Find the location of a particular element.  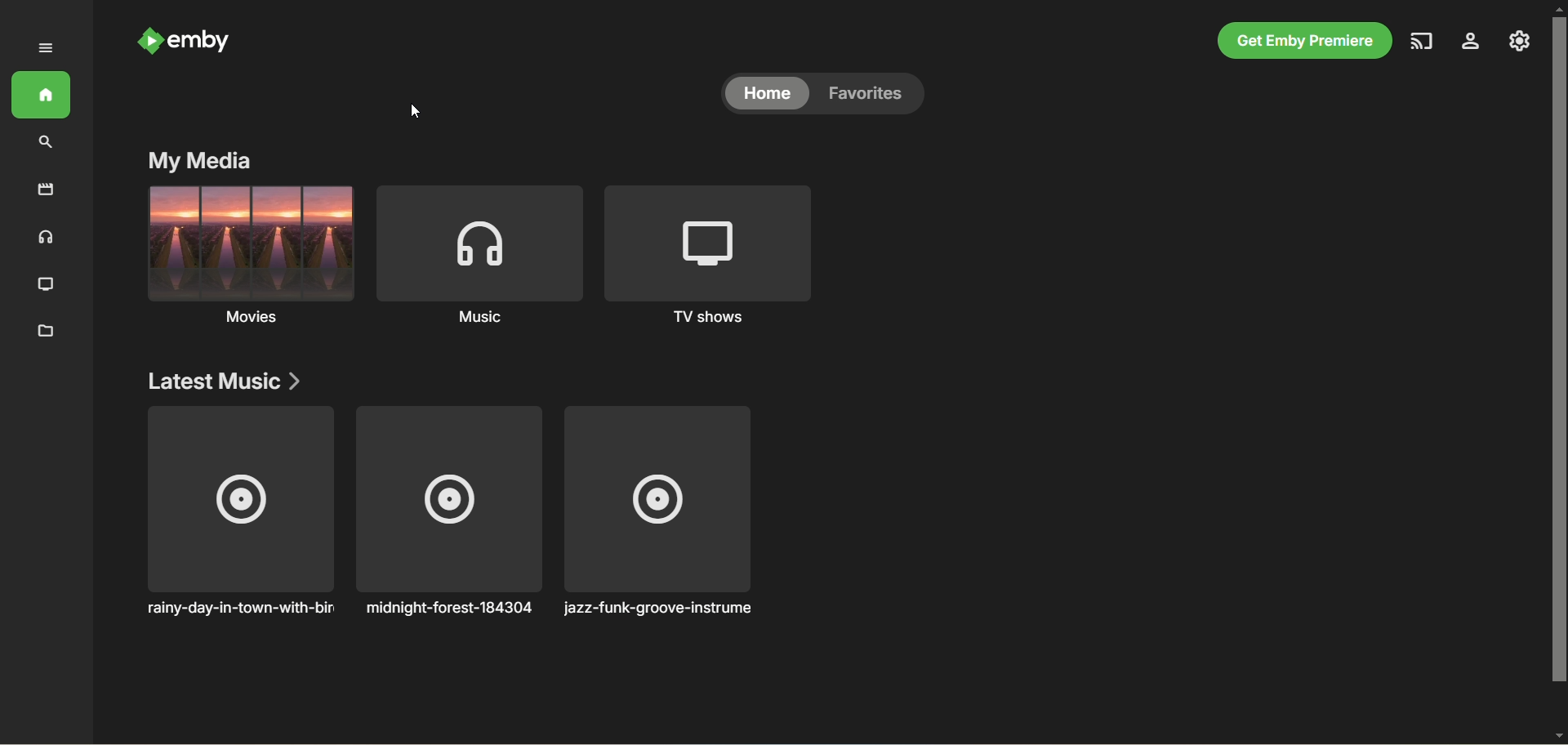

my media is located at coordinates (198, 161).